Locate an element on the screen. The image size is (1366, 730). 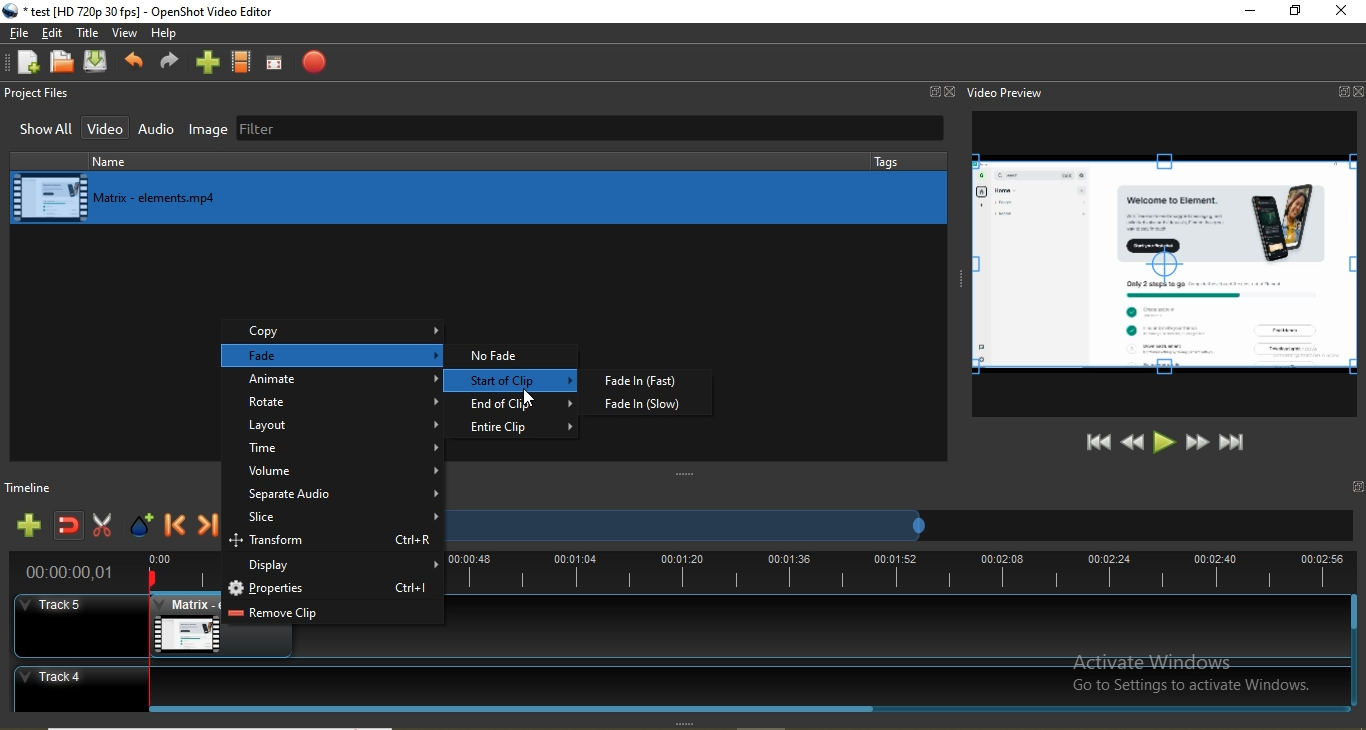
copy is located at coordinates (335, 330).